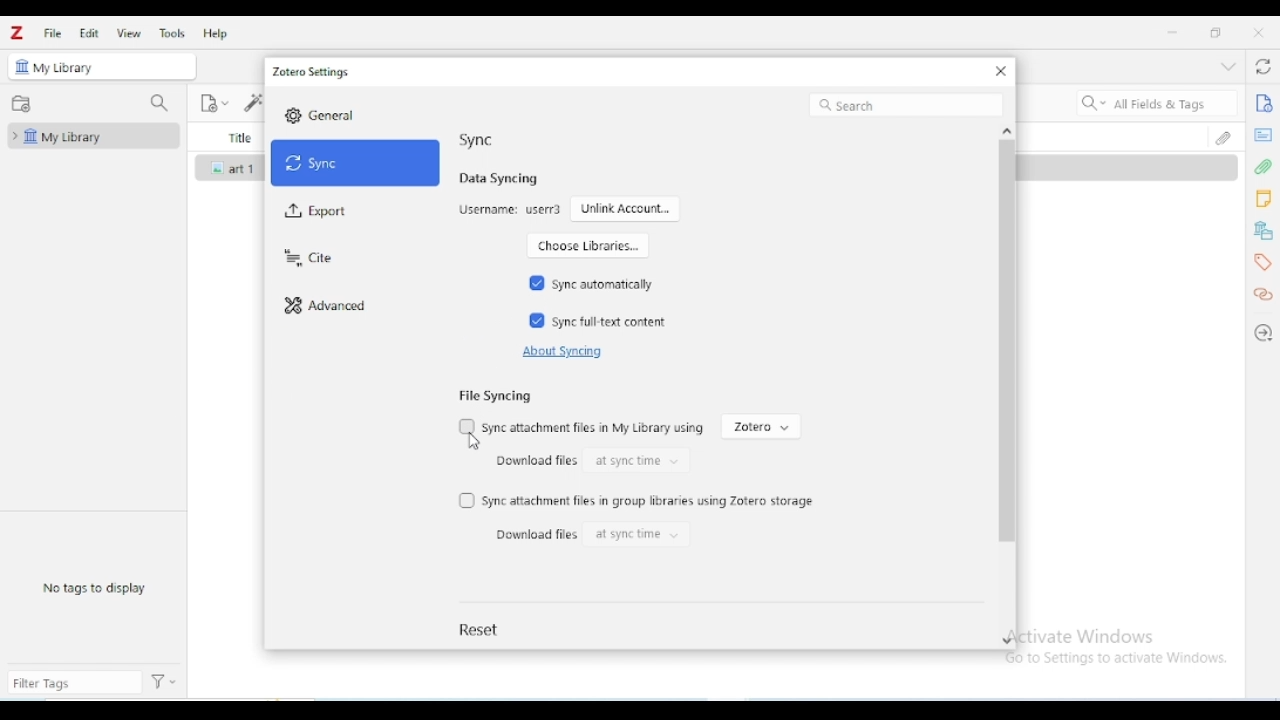  Describe the element at coordinates (626, 208) in the screenshot. I see `unlink account...` at that location.